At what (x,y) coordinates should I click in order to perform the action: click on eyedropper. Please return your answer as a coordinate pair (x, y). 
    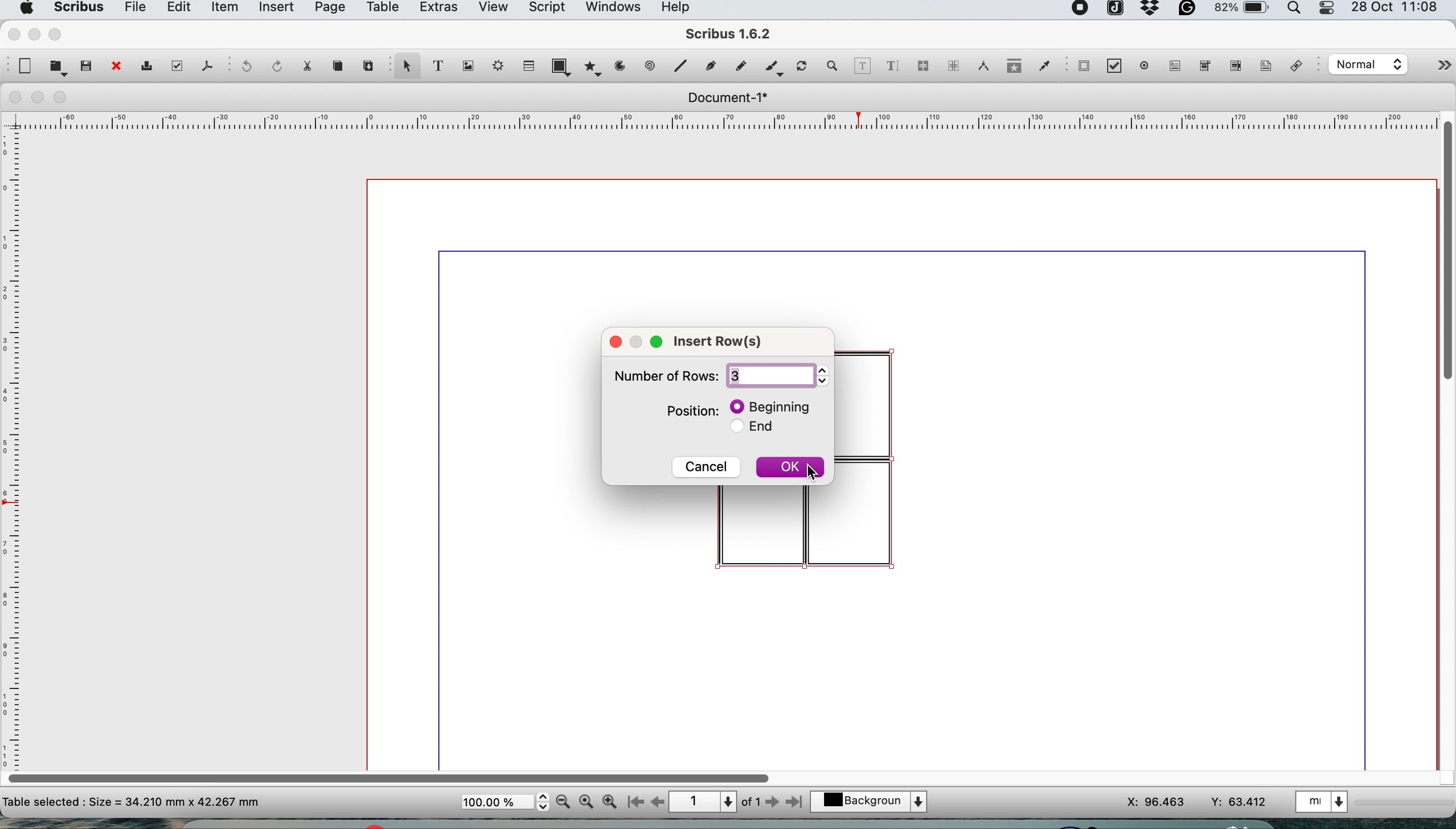
    Looking at the image, I should click on (1044, 68).